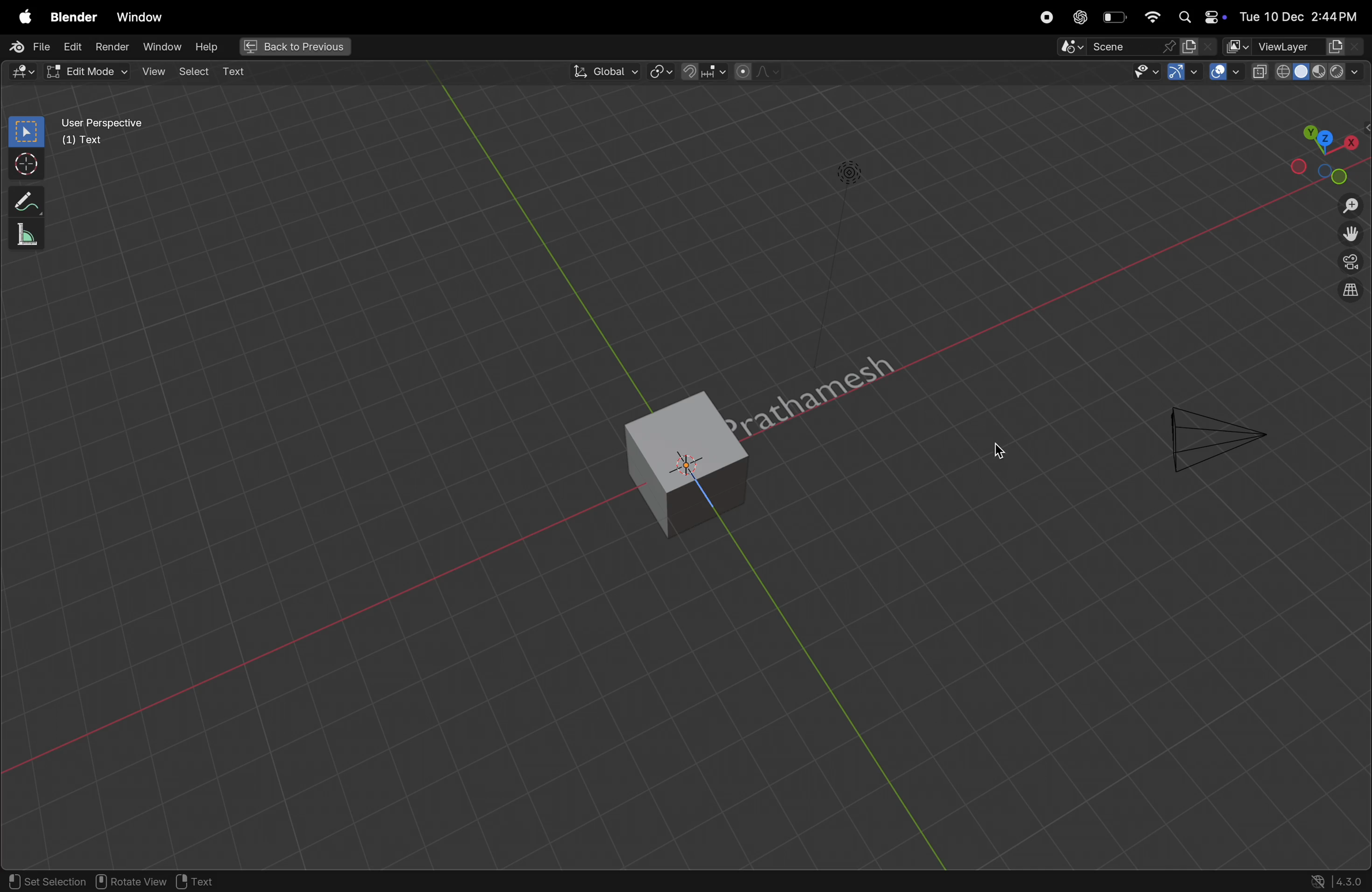 The height and width of the screenshot is (892, 1372). Describe the element at coordinates (1347, 205) in the screenshot. I see `zoom` at that location.